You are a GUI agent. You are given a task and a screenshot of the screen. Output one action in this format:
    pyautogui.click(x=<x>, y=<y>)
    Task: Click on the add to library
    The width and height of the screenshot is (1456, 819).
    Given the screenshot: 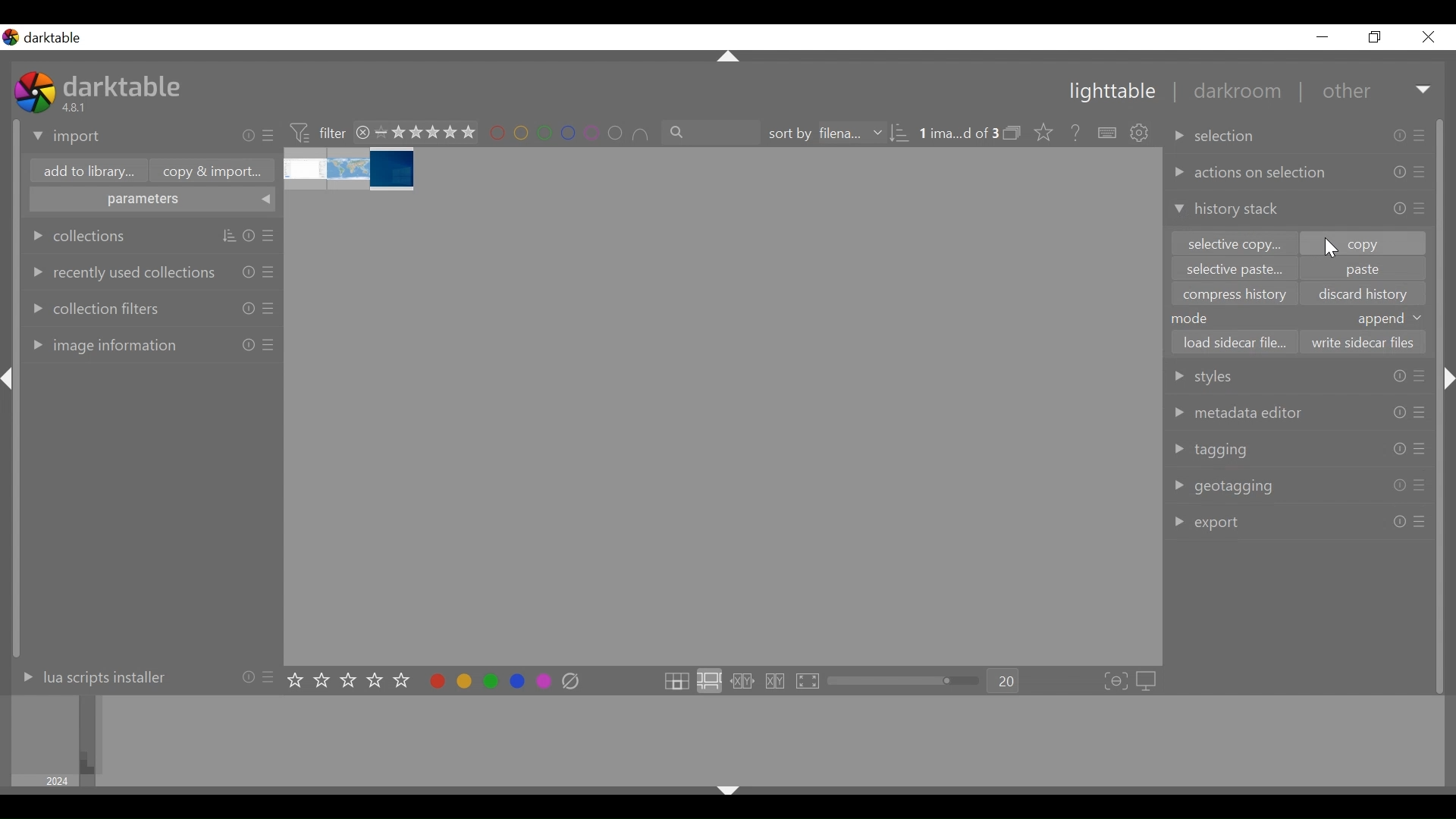 What is the action you would take?
    pyautogui.click(x=86, y=173)
    